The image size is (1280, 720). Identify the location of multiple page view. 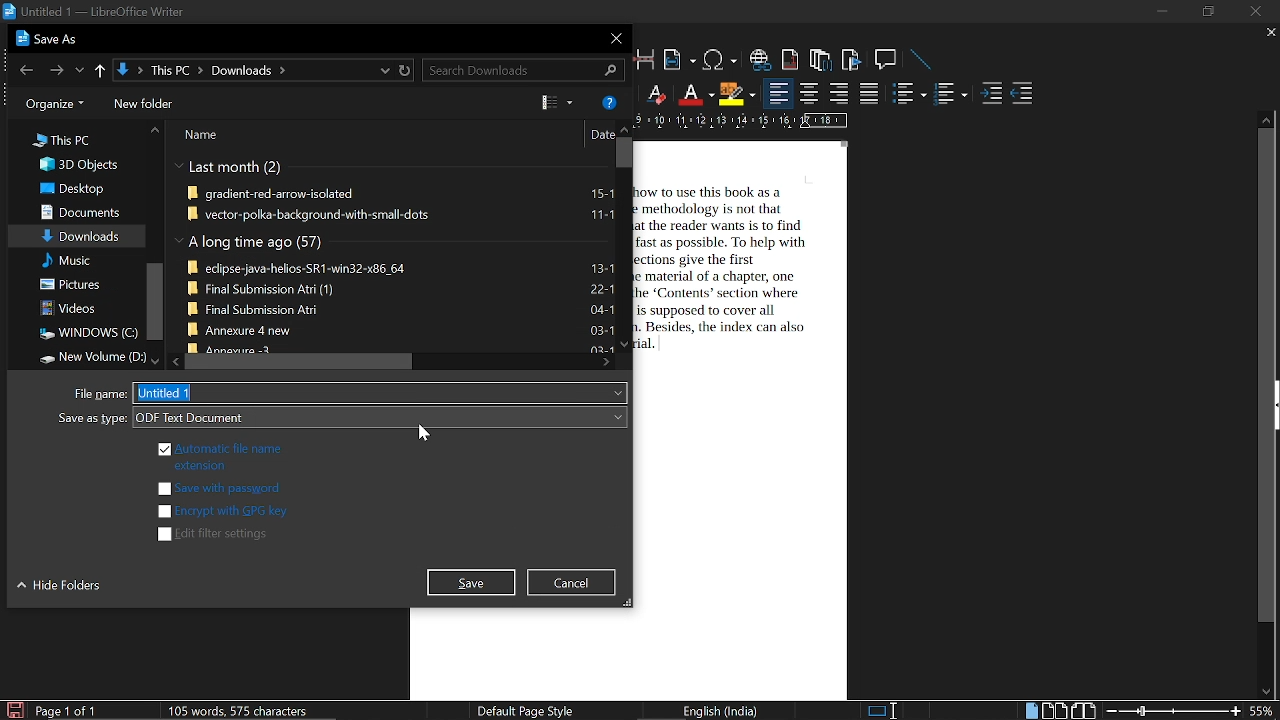
(1054, 711).